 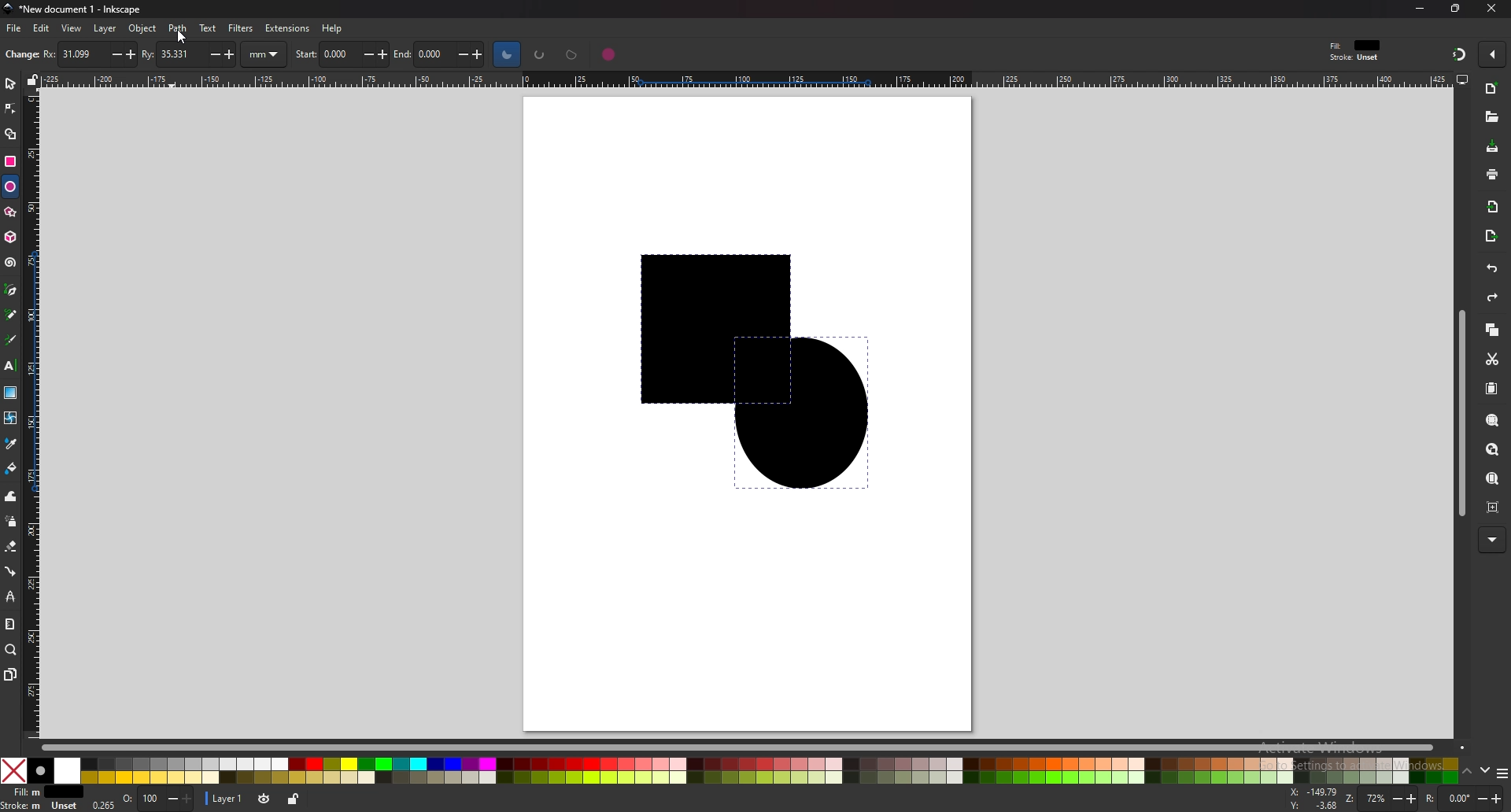 I want to click on pencil, so click(x=12, y=314).